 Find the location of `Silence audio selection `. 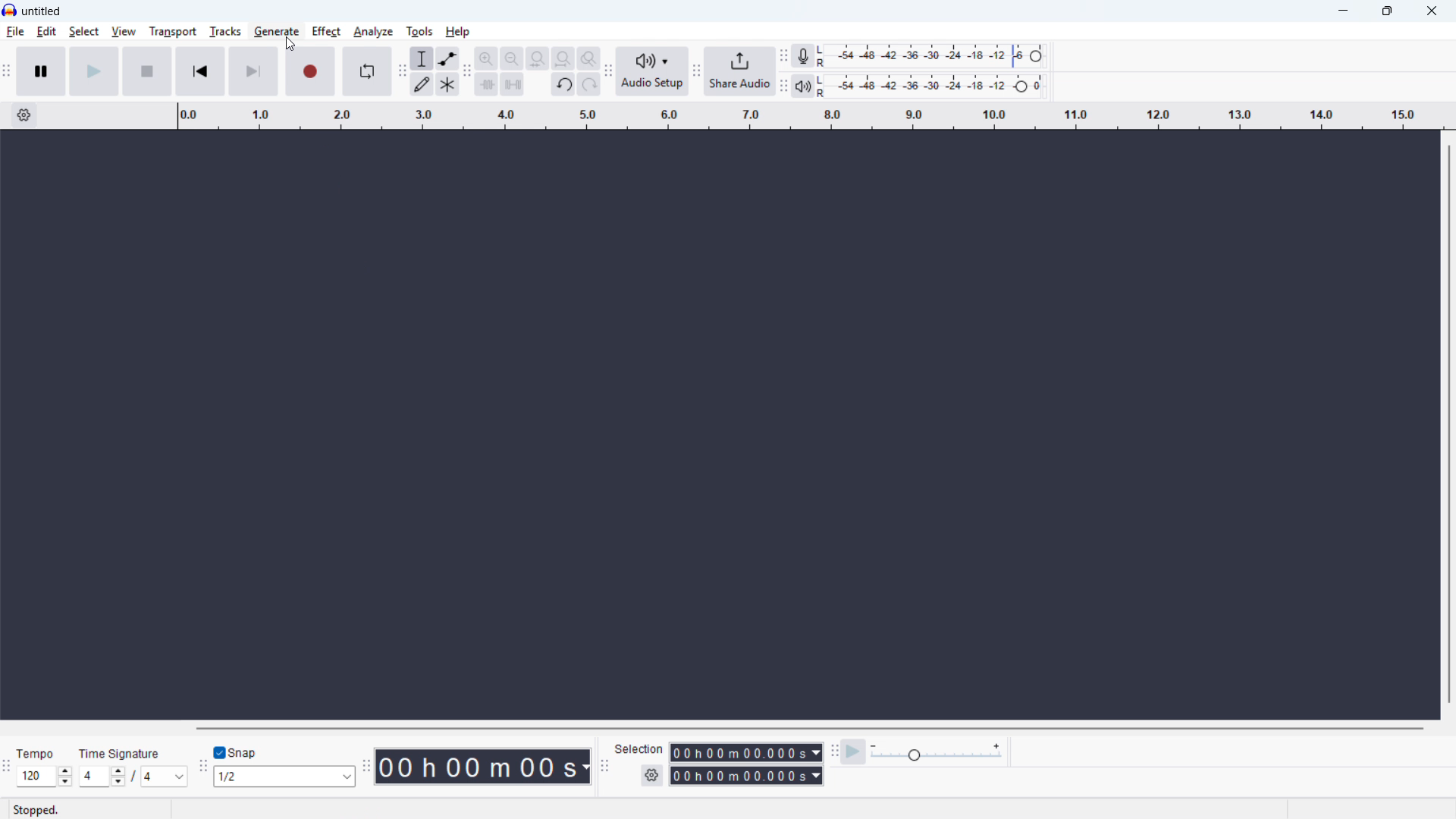

Silence audio selection  is located at coordinates (512, 83).